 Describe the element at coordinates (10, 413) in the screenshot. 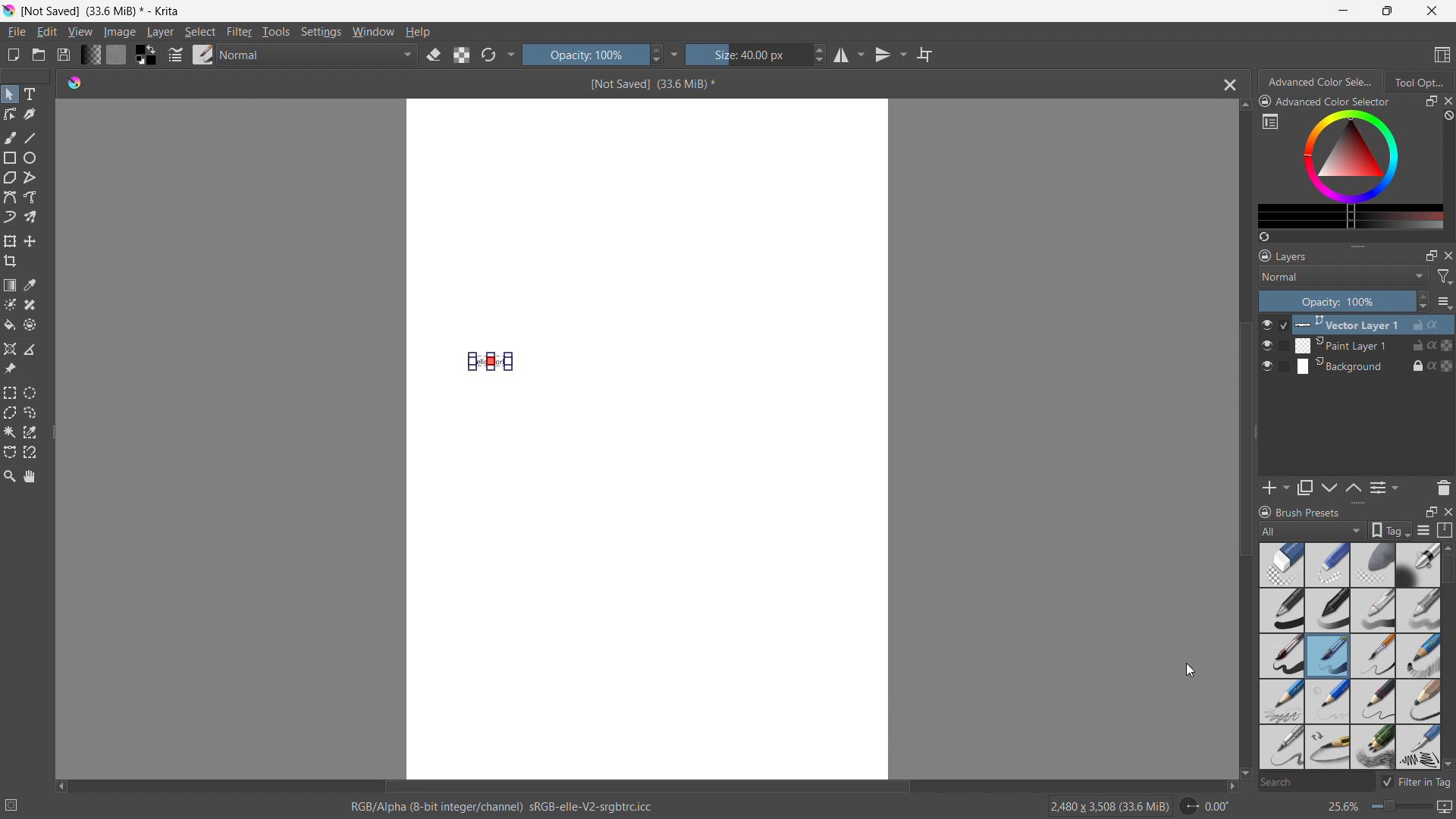

I see `polygonal selection tool` at that location.